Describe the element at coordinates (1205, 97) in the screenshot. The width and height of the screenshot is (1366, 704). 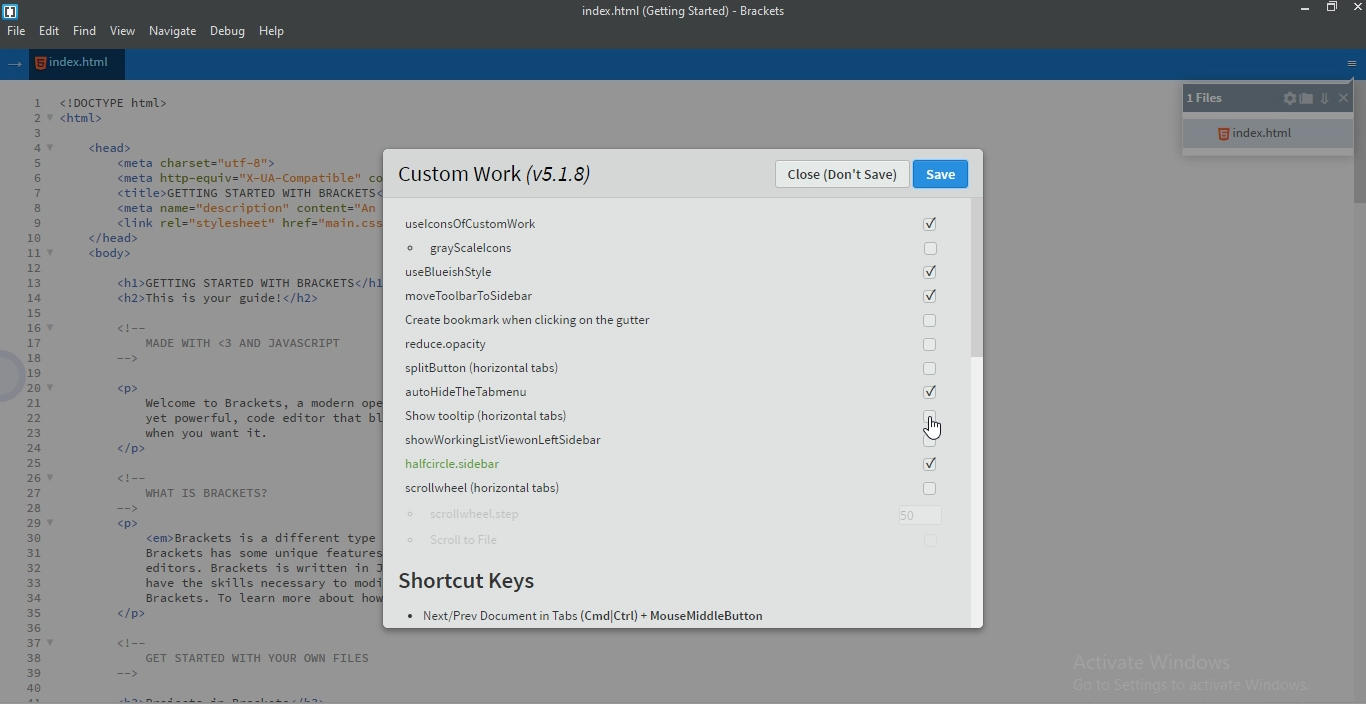
I see `1 files` at that location.